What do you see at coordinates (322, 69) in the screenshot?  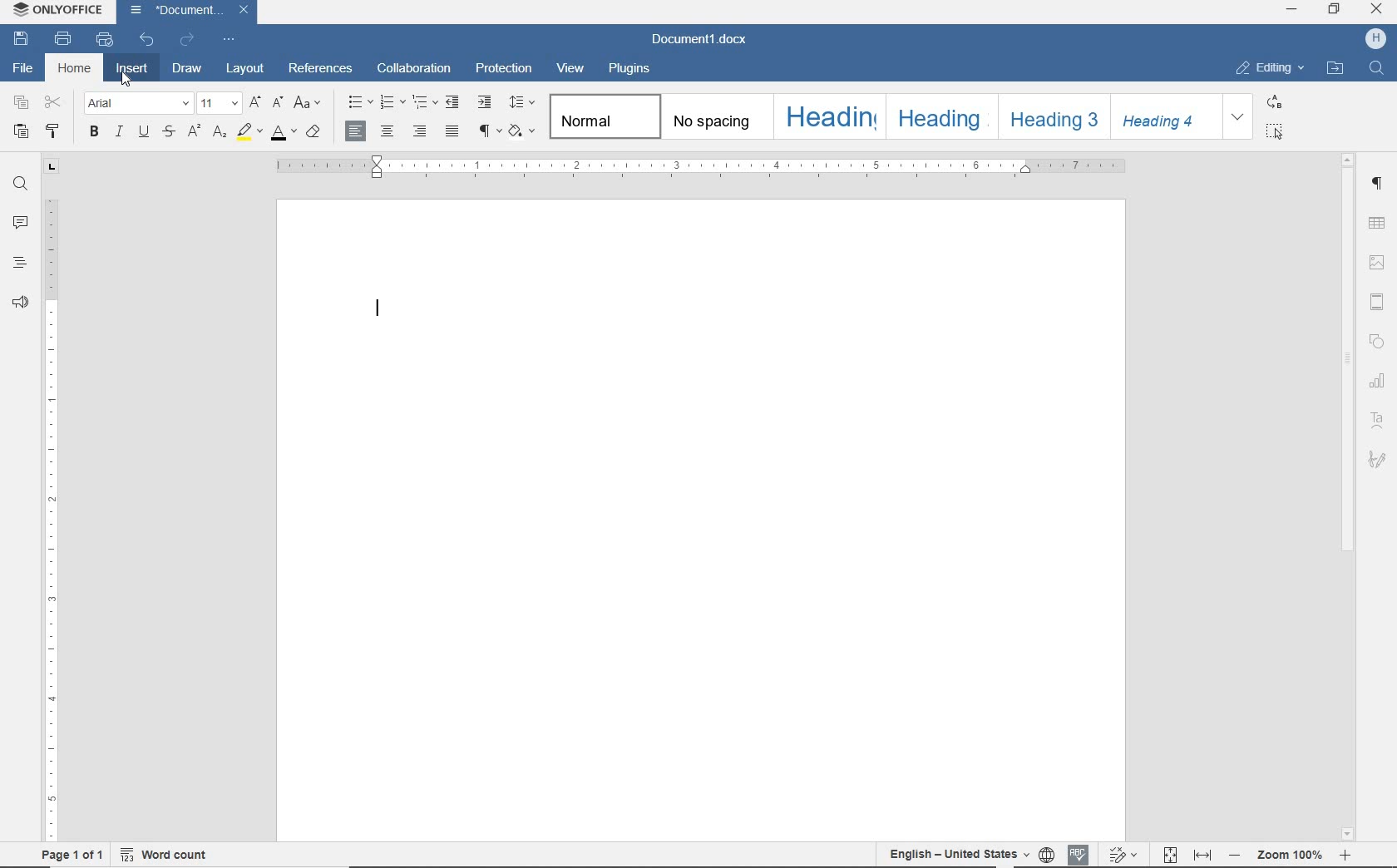 I see `references` at bounding box center [322, 69].